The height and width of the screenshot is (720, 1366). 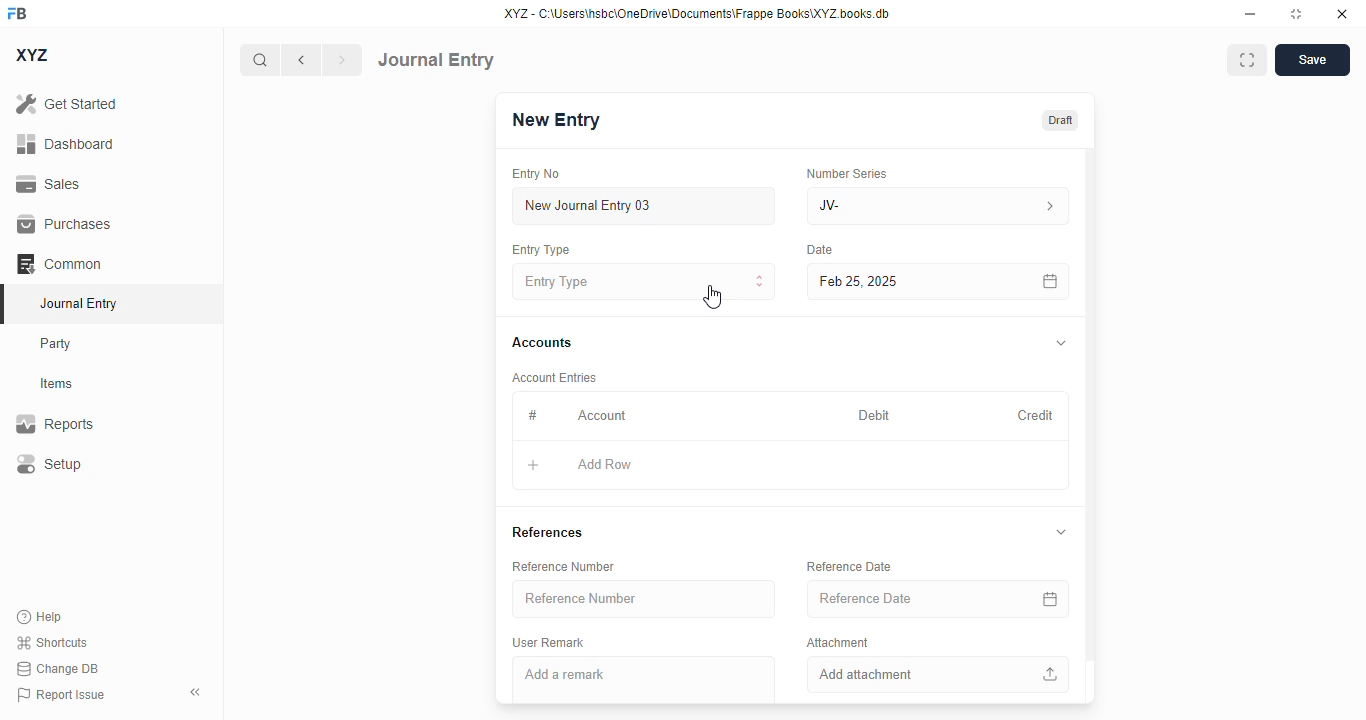 What do you see at coordinates (894, 206) in the screenshot?
I see `JV-` at bounding box center [894, 206].